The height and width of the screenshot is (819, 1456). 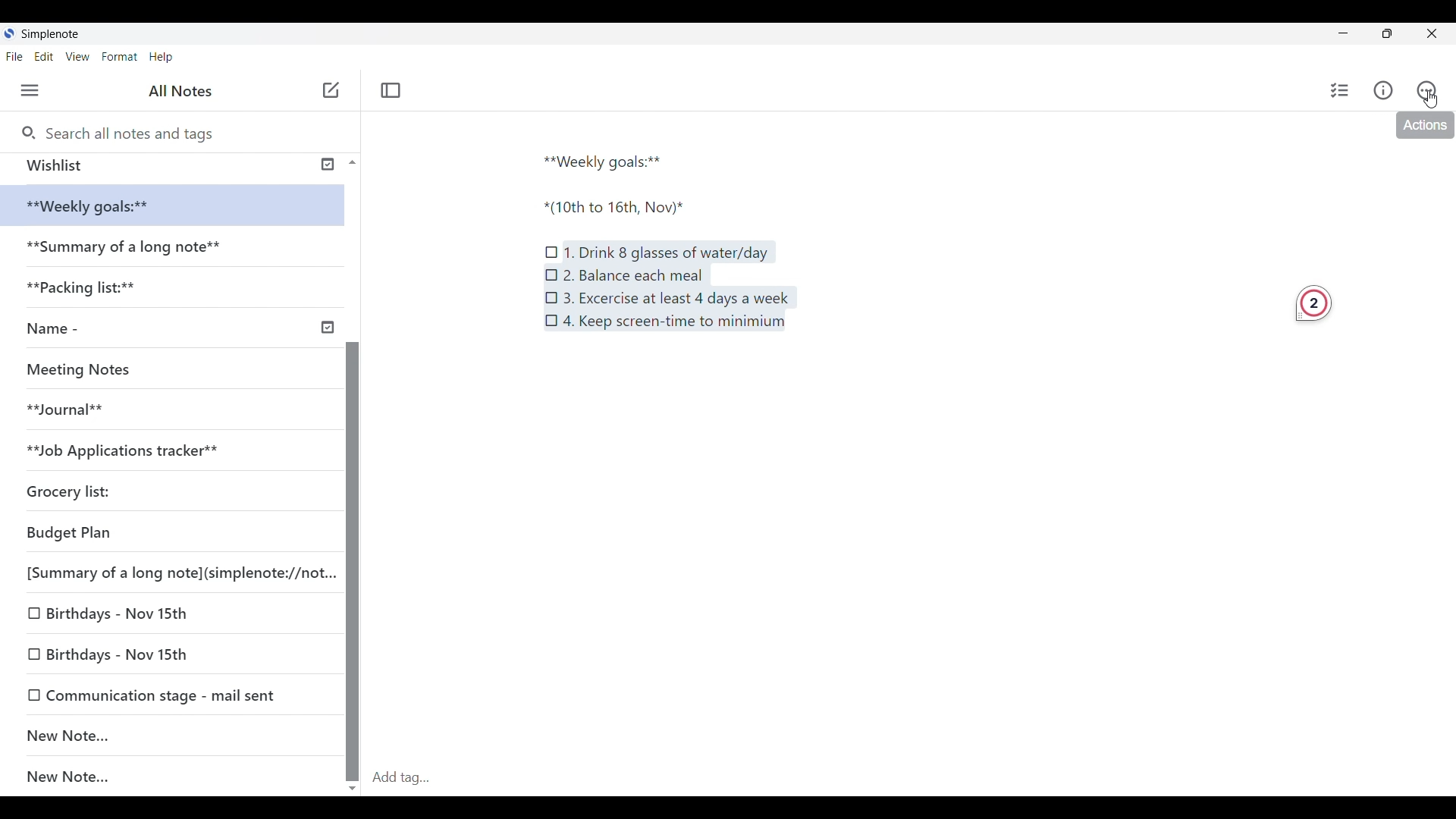 I want to click on Toggle focus mode, so click(x=393, y=89).